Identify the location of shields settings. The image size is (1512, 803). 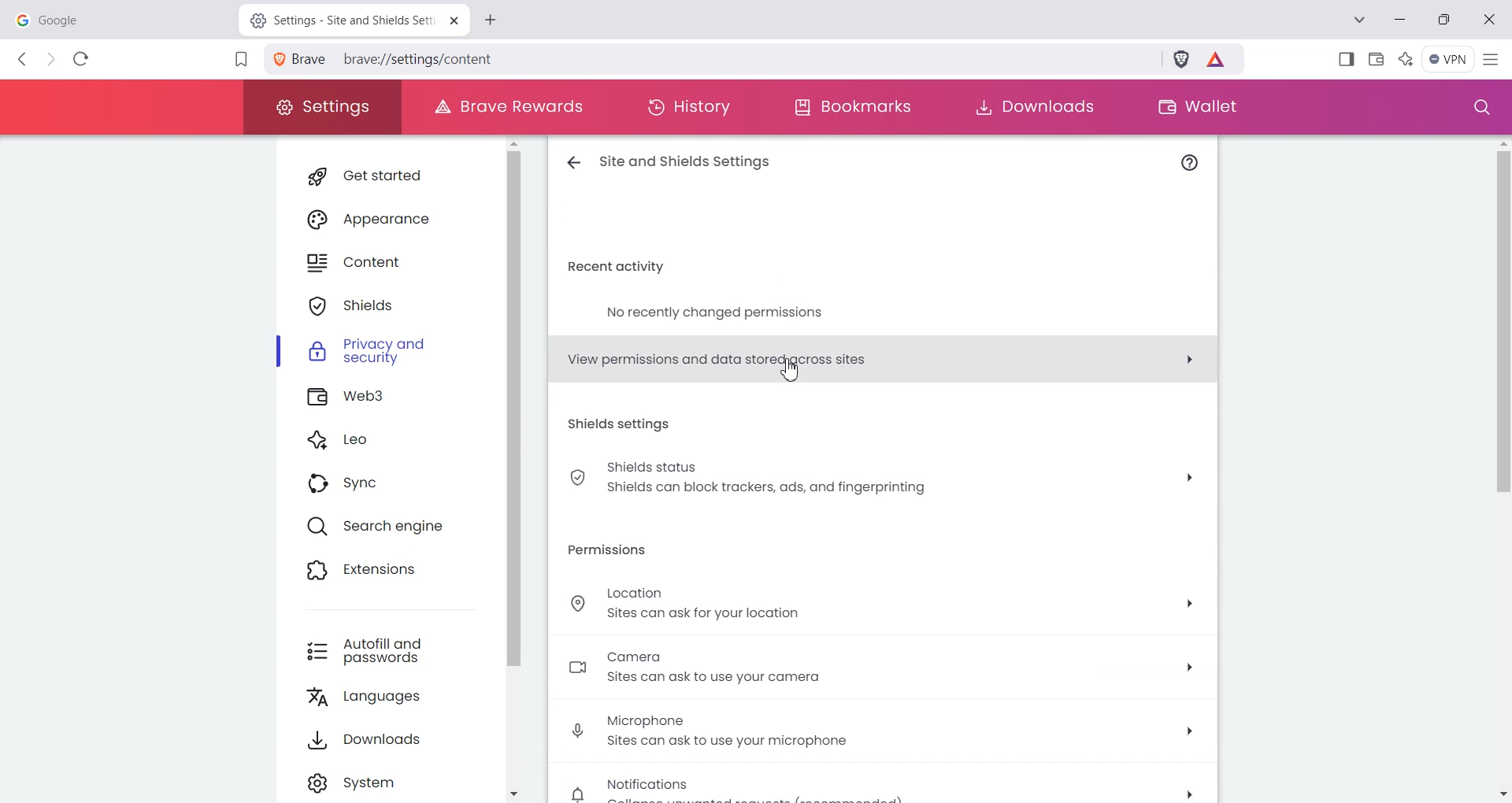
(624, 426).